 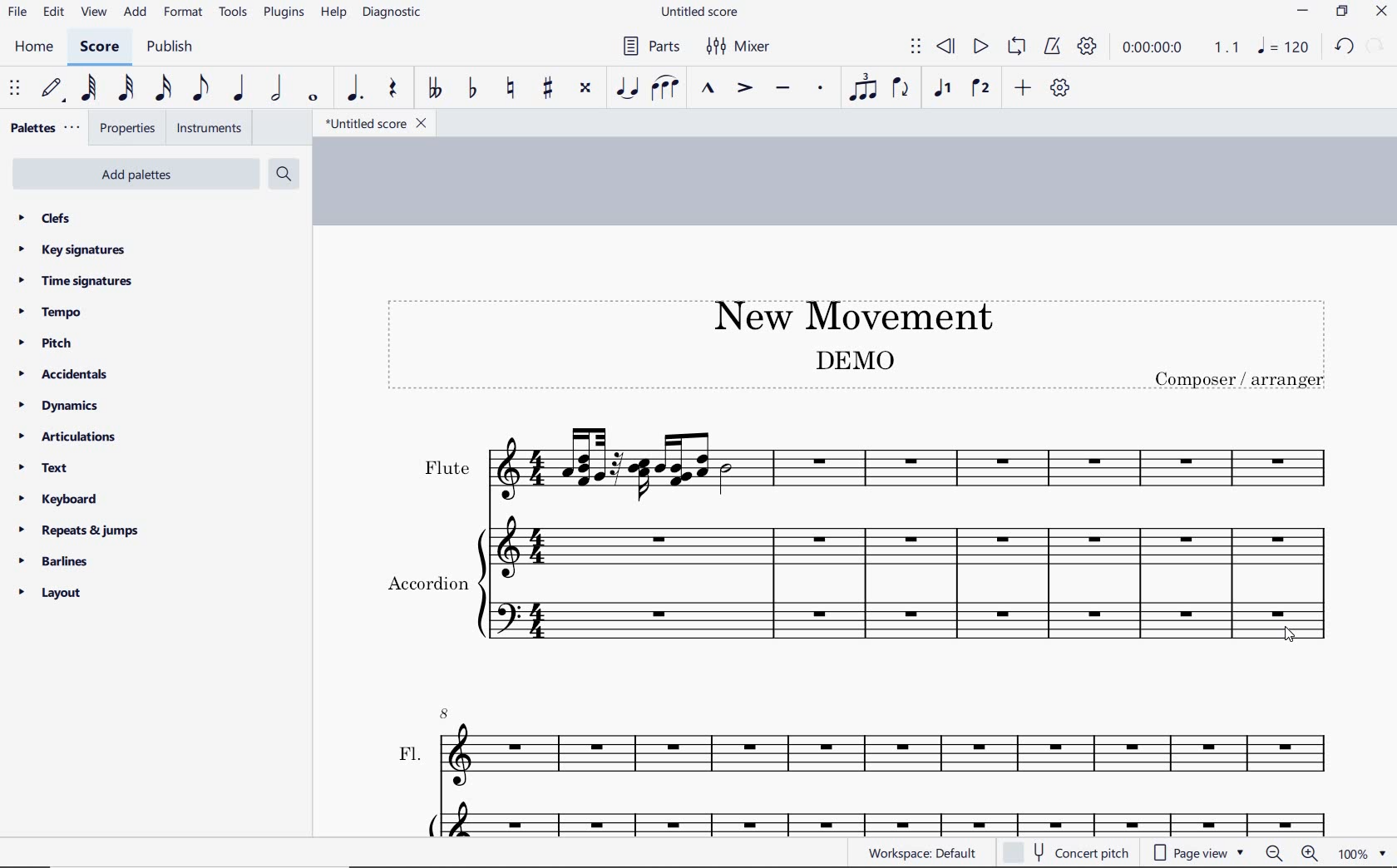 What do you see at coordinates (702, 12) in the screenshot?
I see `file name` at bounding box center [702, 12].